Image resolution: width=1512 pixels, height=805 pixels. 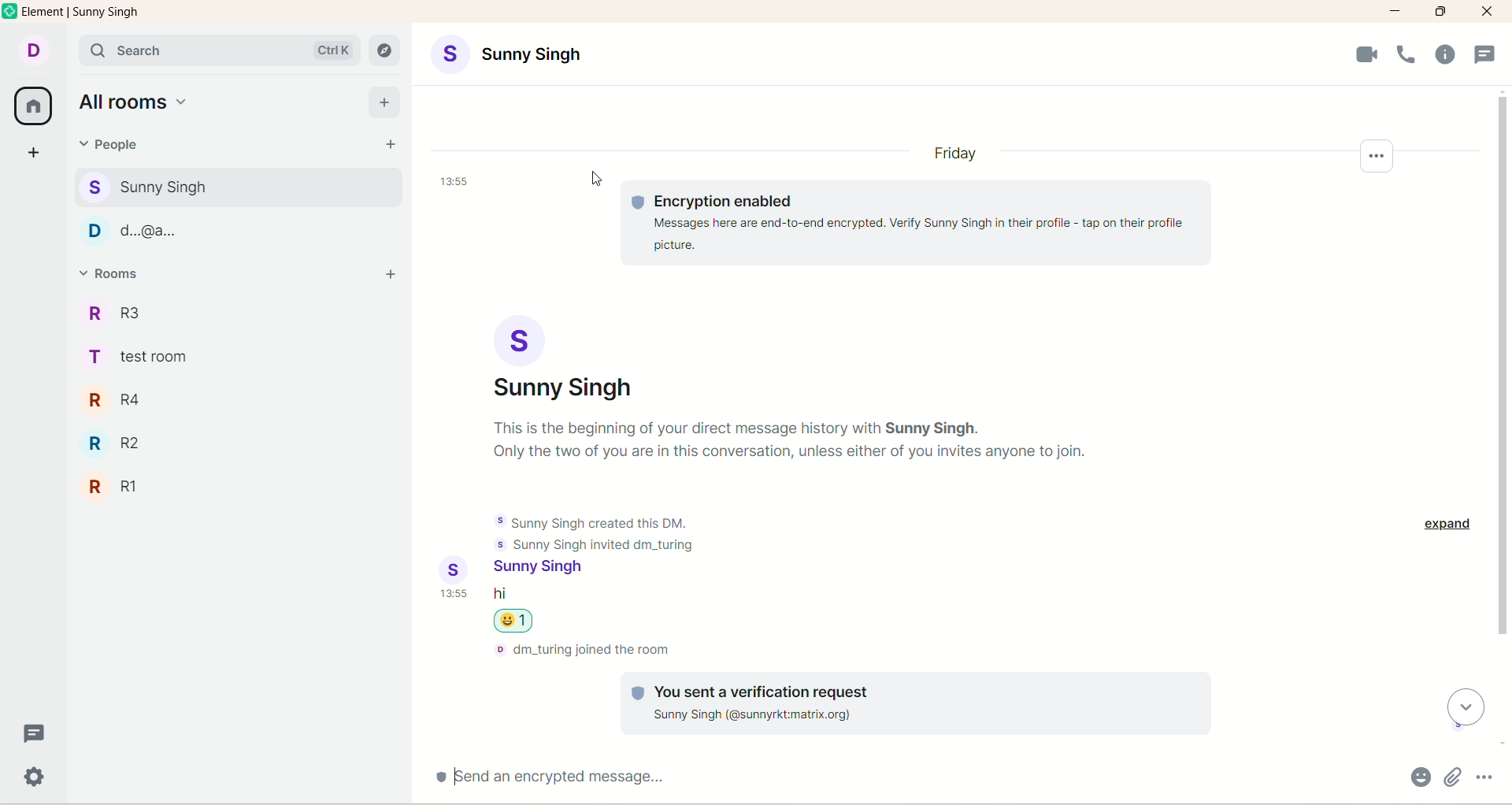 What do you see at coordinates (127, 312) in the screenshot?
I see `R3` at bounding box center [127, 312].